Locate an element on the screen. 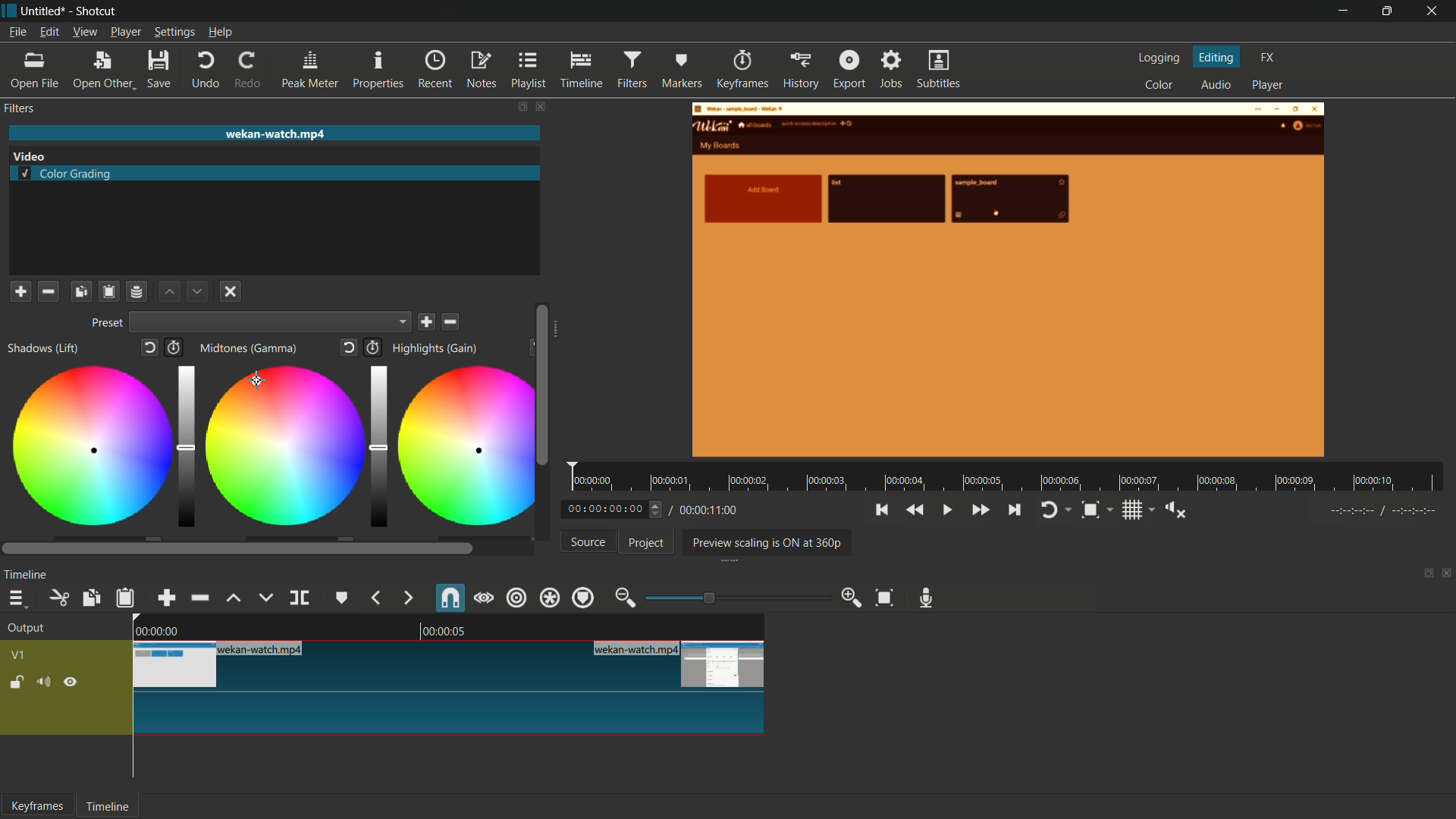 The image size is (1456, 819). toggle play or pause is located at coordinates (947, 510).